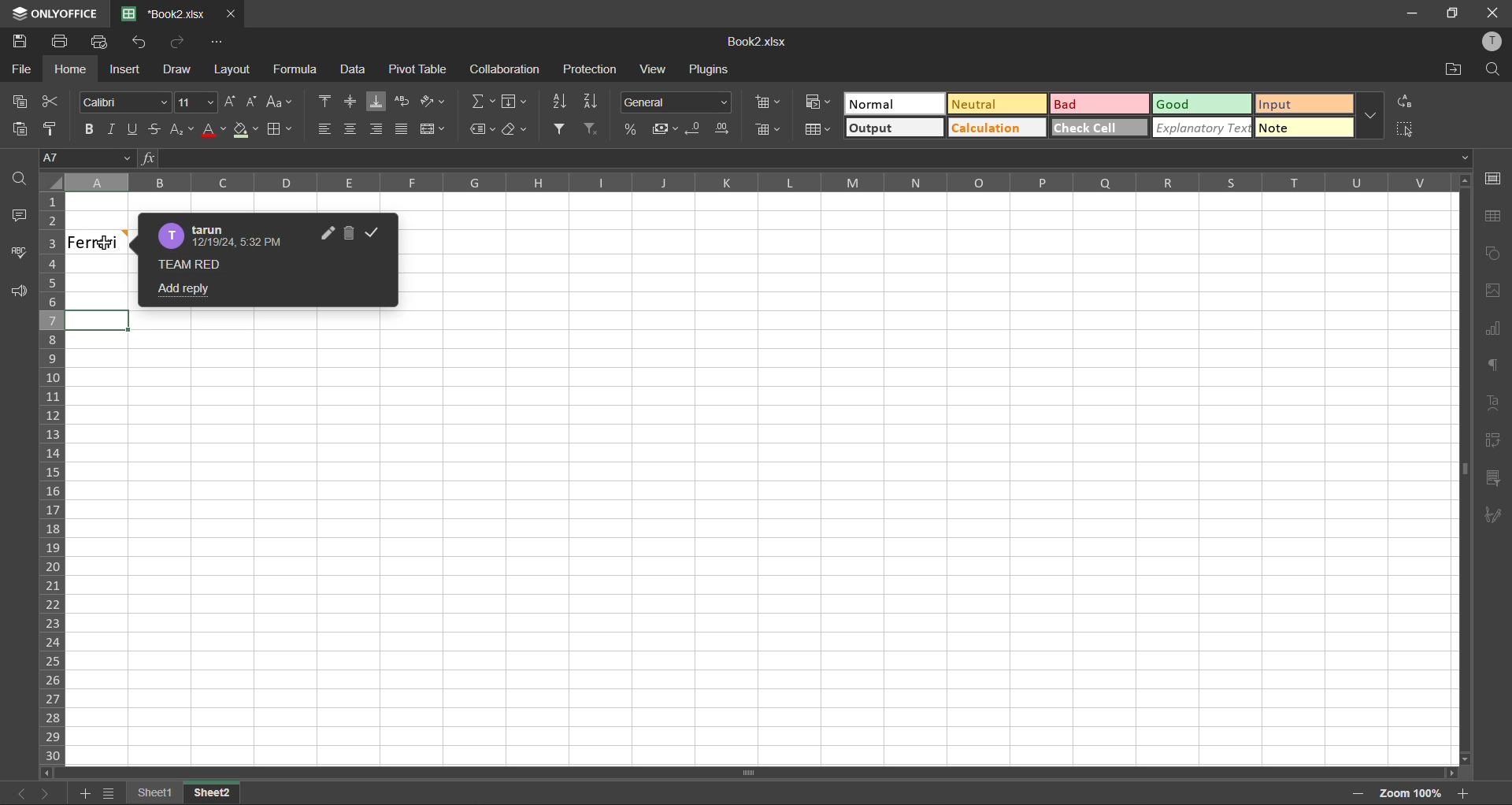  I want to click on copy style, so click(57, 129).